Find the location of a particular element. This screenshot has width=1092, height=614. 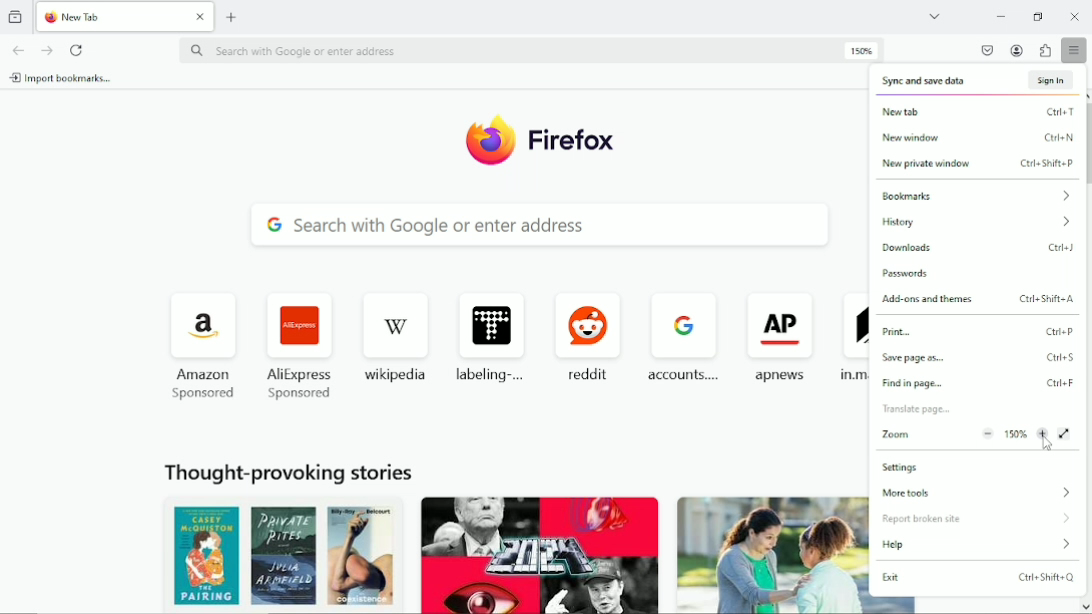

list all tabs is located at coordinates (941, 17).